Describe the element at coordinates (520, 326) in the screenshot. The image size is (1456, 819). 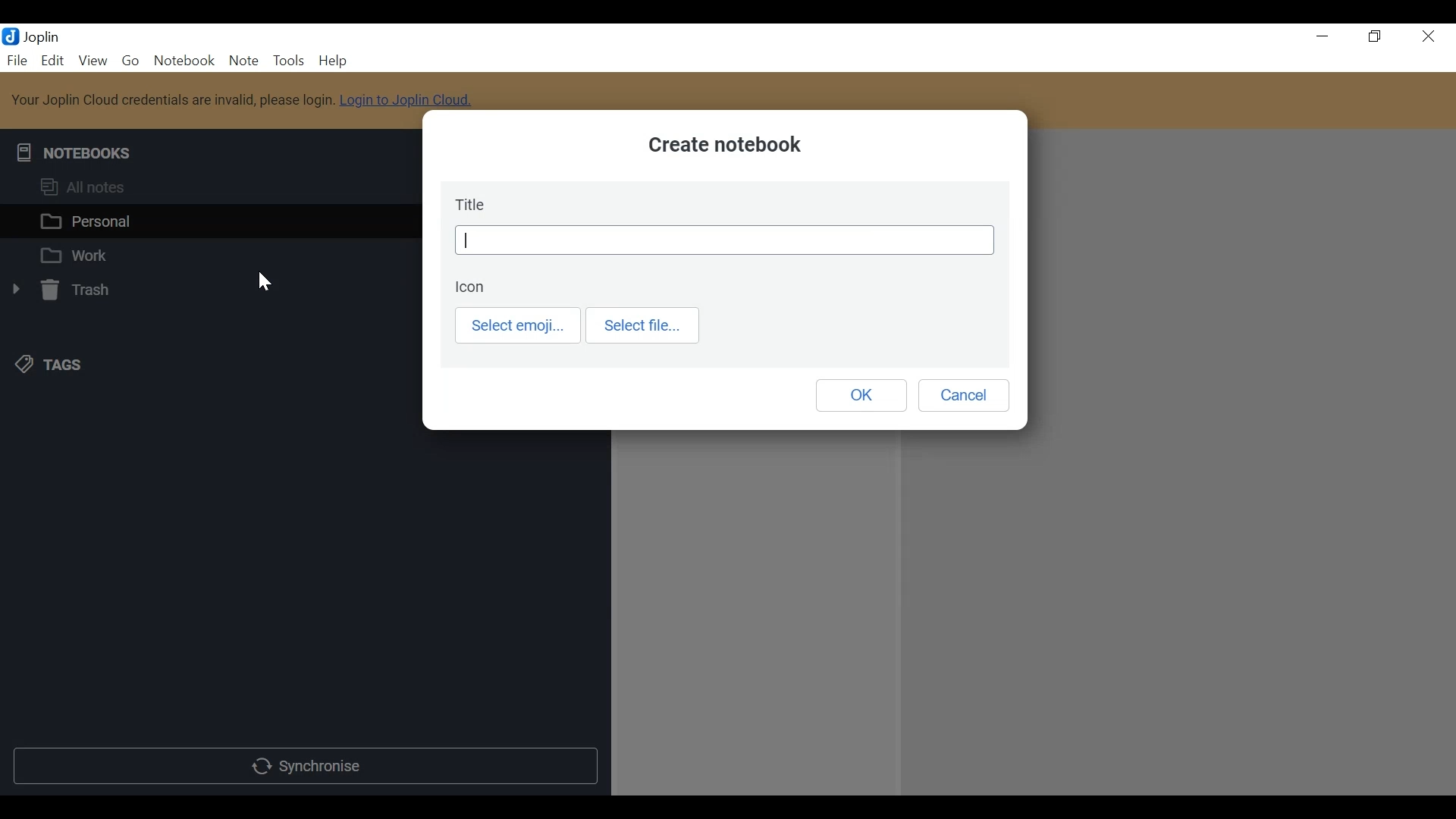
I see `Select emoji` at that location.